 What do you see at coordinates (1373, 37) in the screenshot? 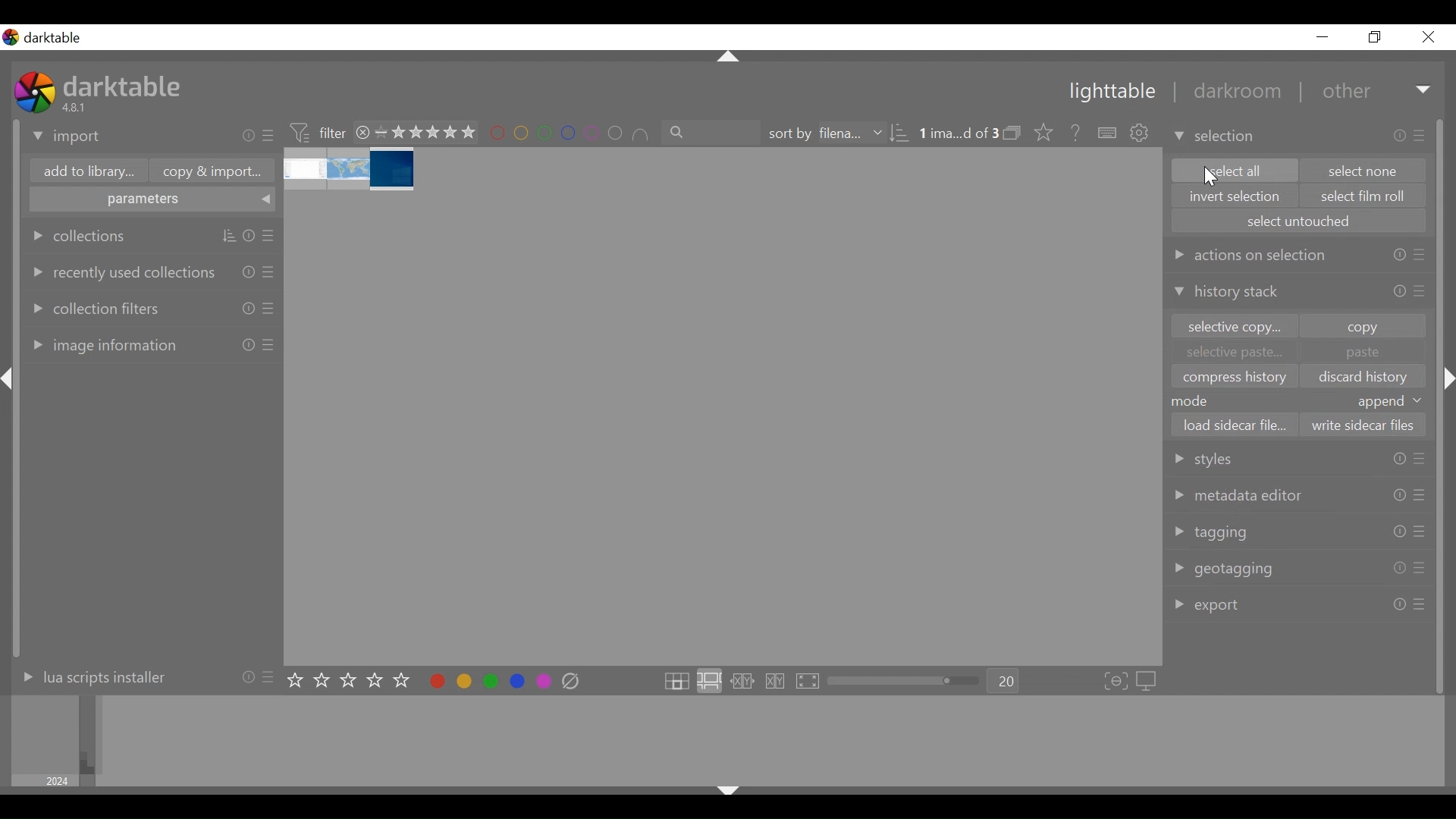
I see `restore` at bounding box center [1373, 37].